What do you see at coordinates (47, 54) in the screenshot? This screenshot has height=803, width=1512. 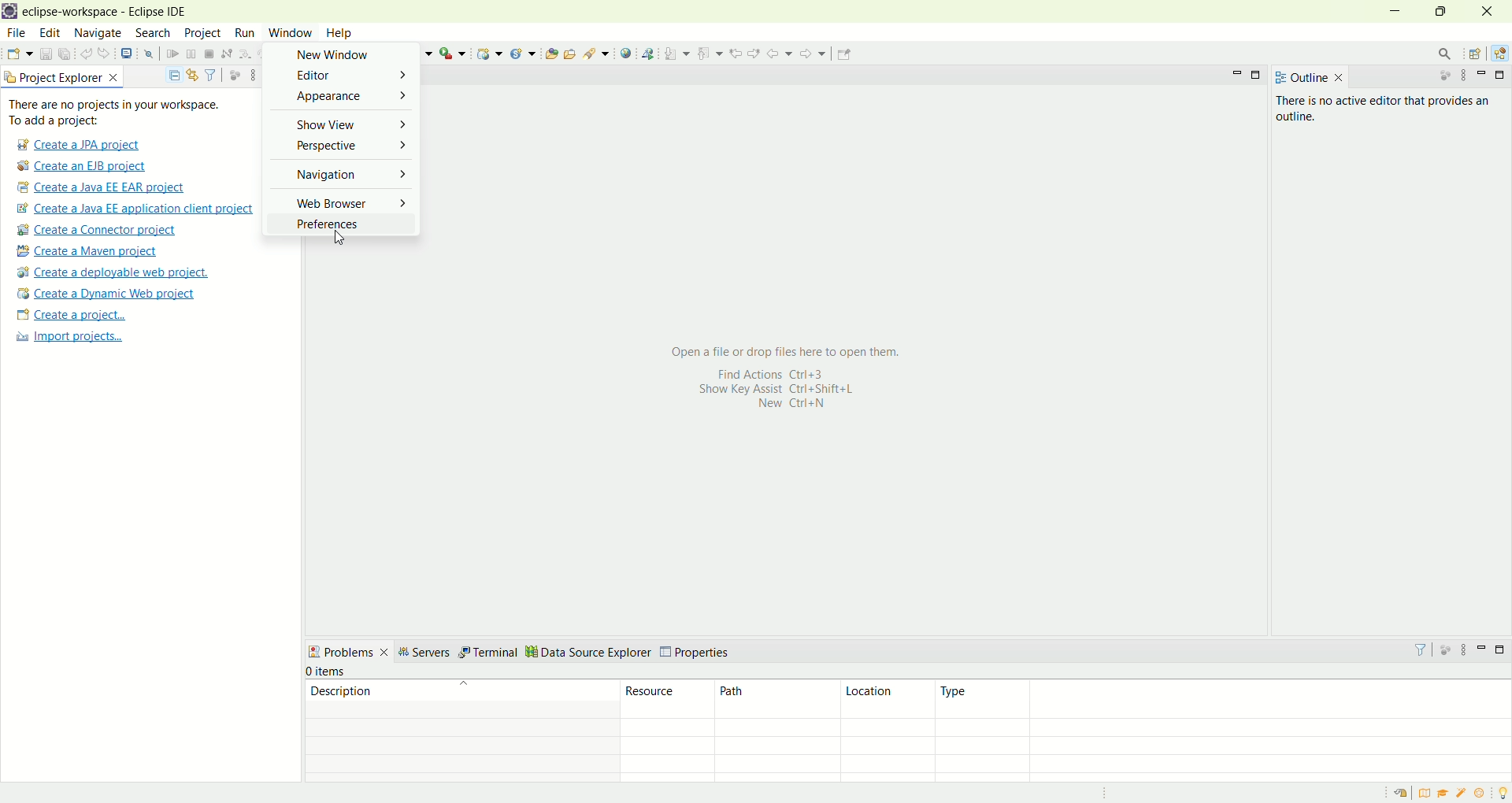 I see `save` at bounding box center [47, 54].